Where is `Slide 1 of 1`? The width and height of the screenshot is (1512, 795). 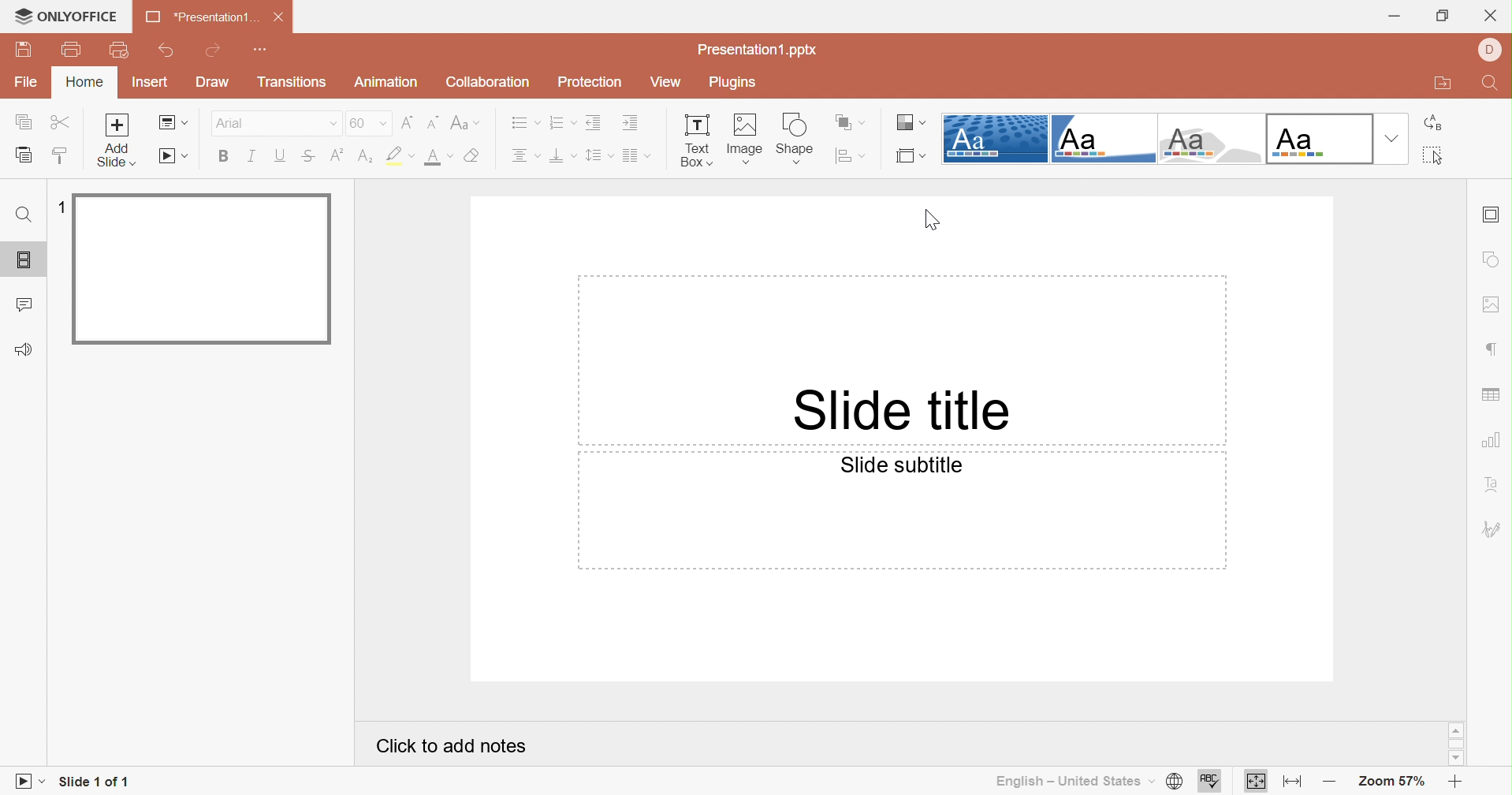
Slide 1 of 1 is located at coordinates (99, 784).